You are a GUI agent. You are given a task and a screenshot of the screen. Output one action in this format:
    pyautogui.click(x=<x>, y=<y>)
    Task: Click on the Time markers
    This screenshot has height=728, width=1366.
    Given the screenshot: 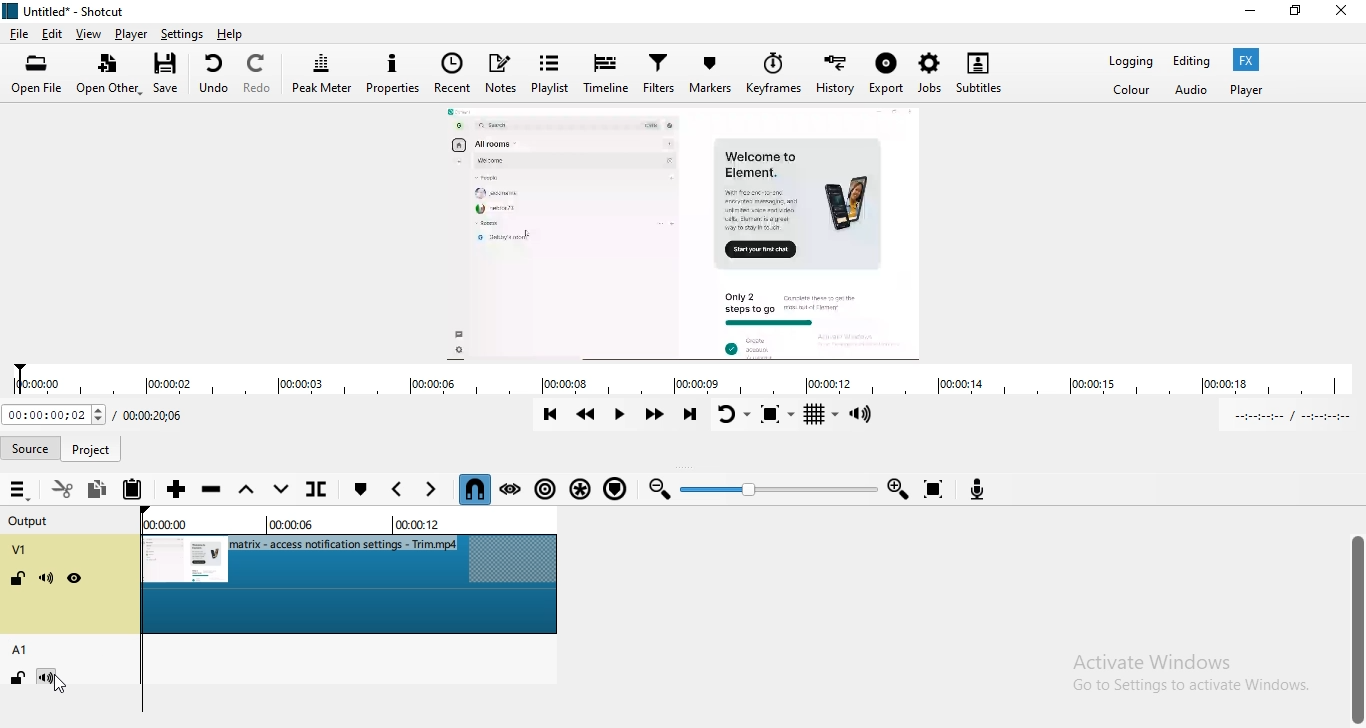 What is the action you would take?
    pyautogui.click(x=344, y=525)
    